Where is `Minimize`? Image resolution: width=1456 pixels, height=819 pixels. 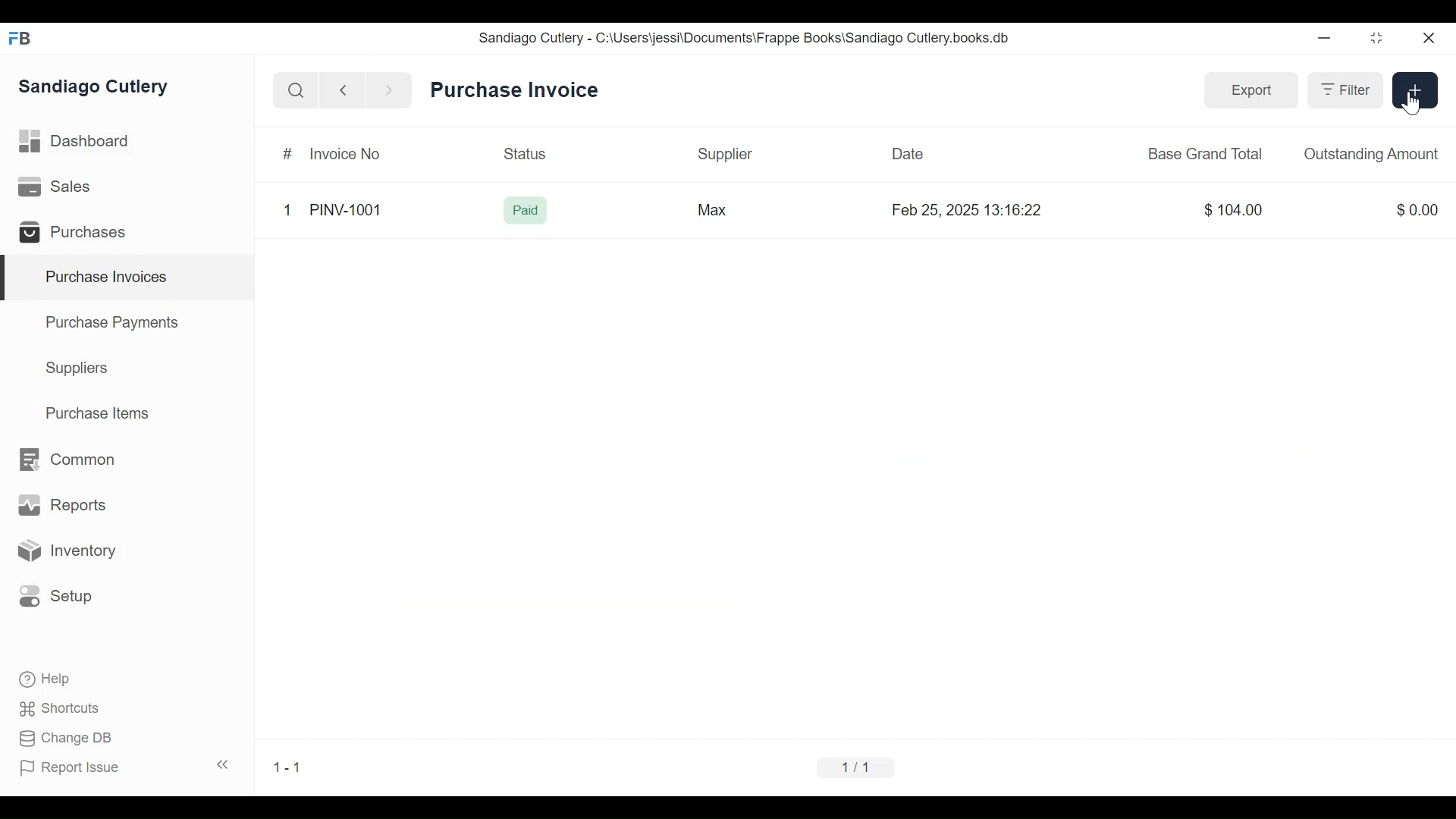 Minimize is located at coordinates (1321, 39).